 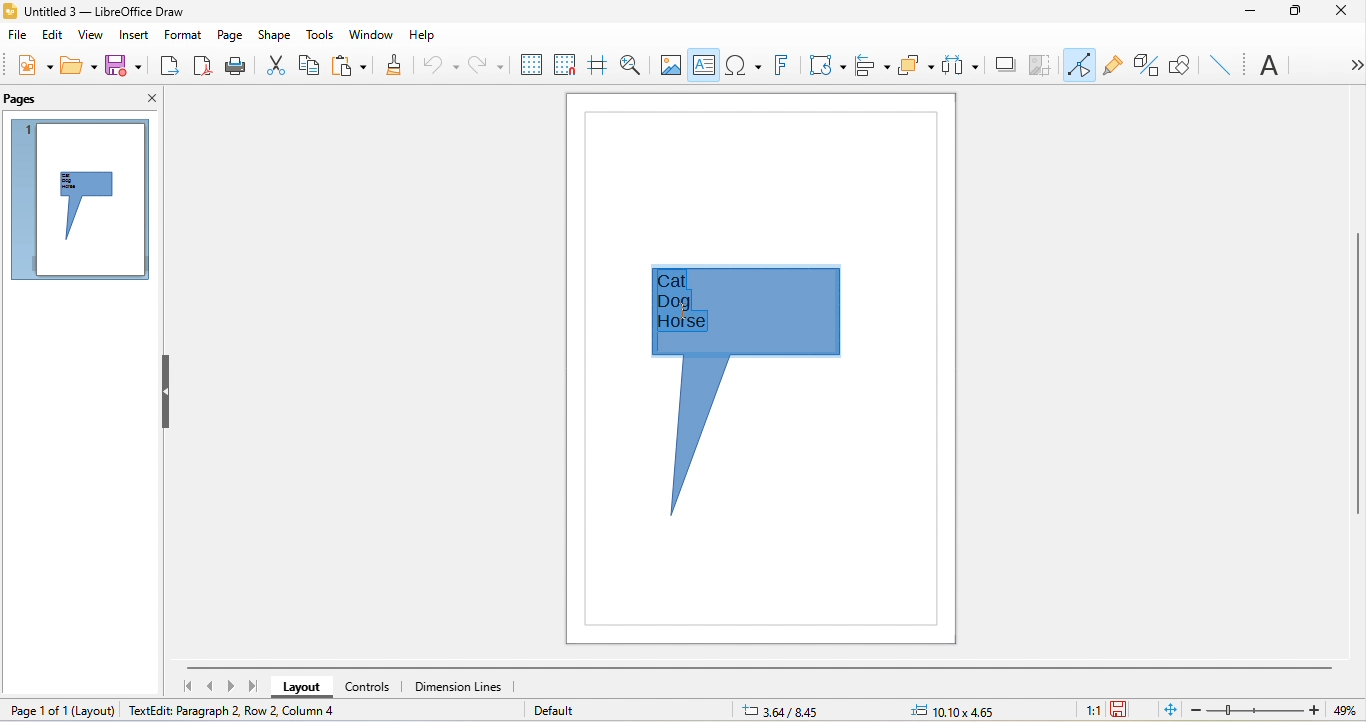 I want to click on toggle point edit mode, so click(x=1079, y=64).